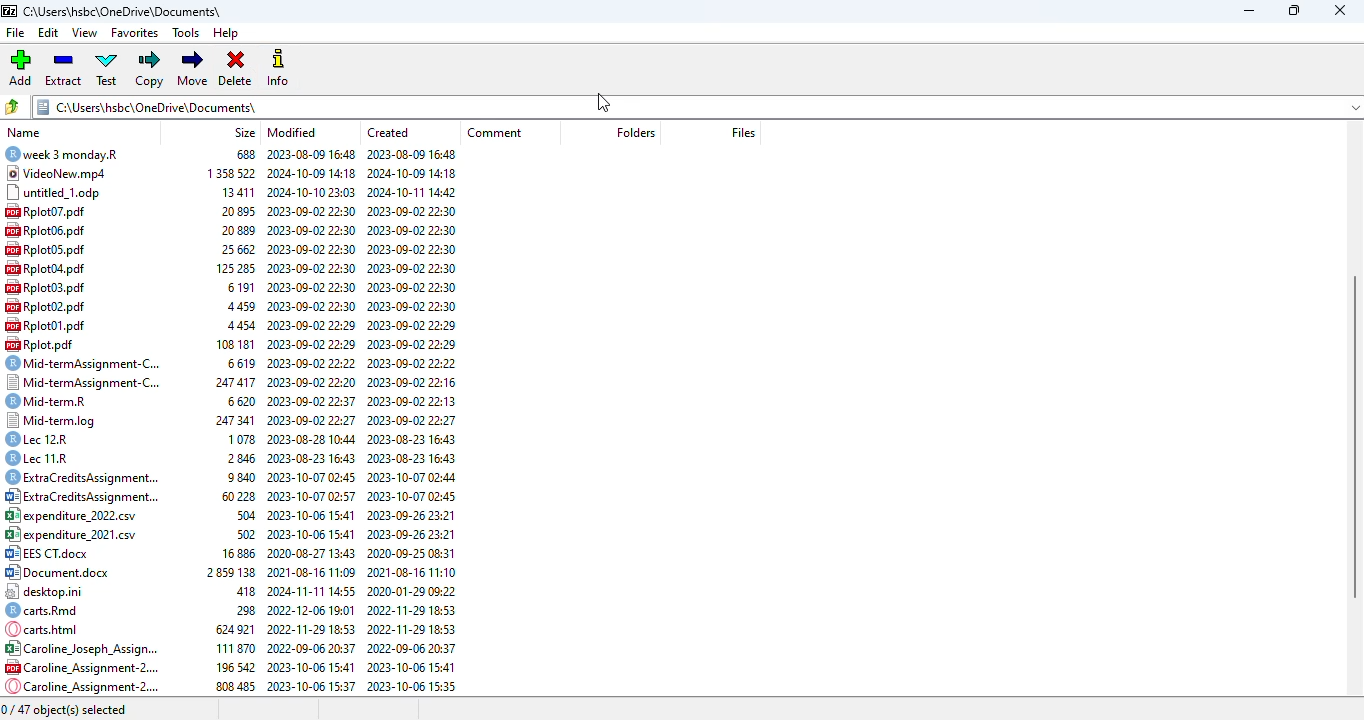 Image resolution: width=1364 pixels, height=720 pixels. I want to click on minimize, so click(1250, 10).